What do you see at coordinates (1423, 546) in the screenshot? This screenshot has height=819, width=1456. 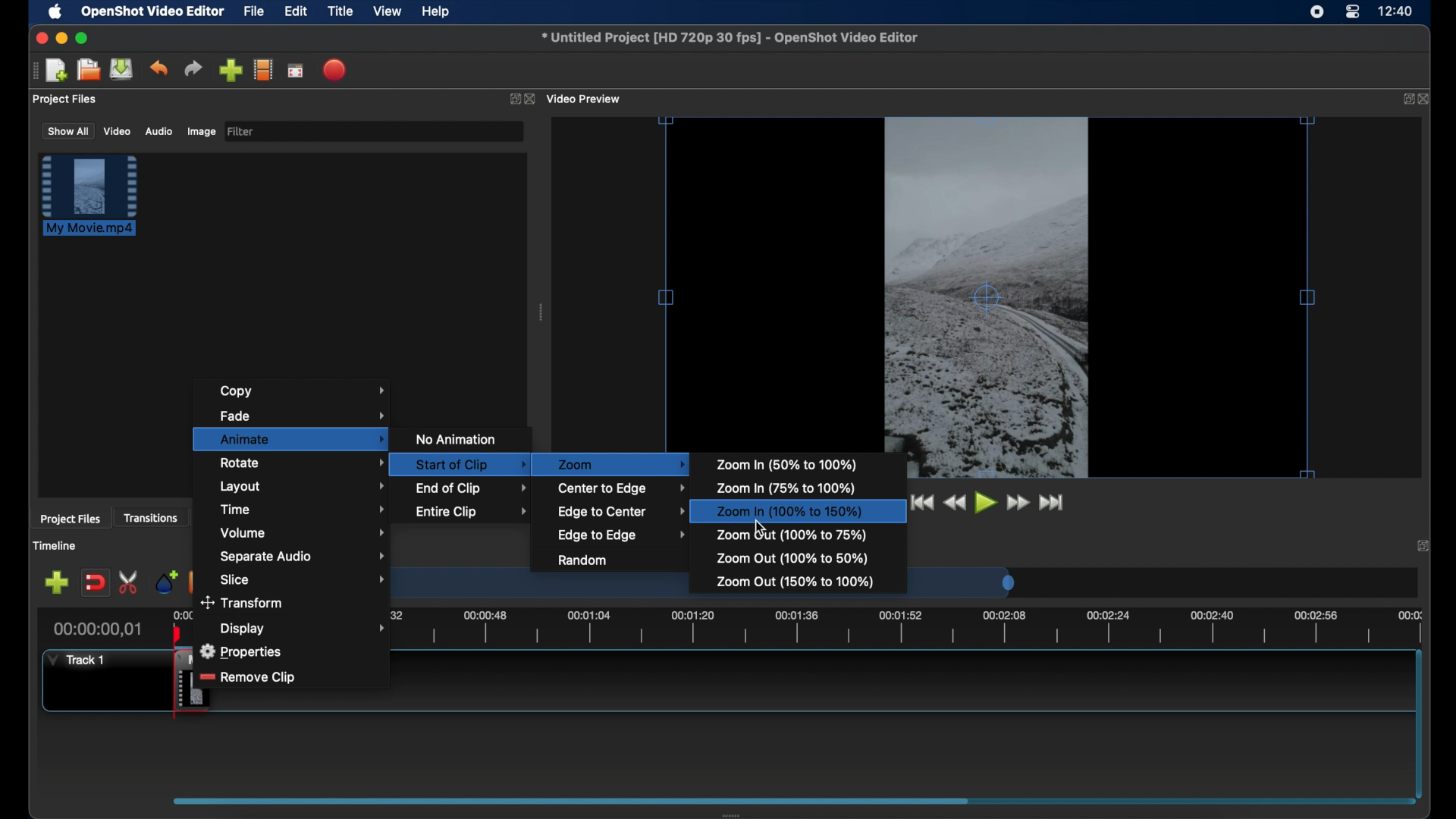 I see `expand` at bounding box center [1423, 546].